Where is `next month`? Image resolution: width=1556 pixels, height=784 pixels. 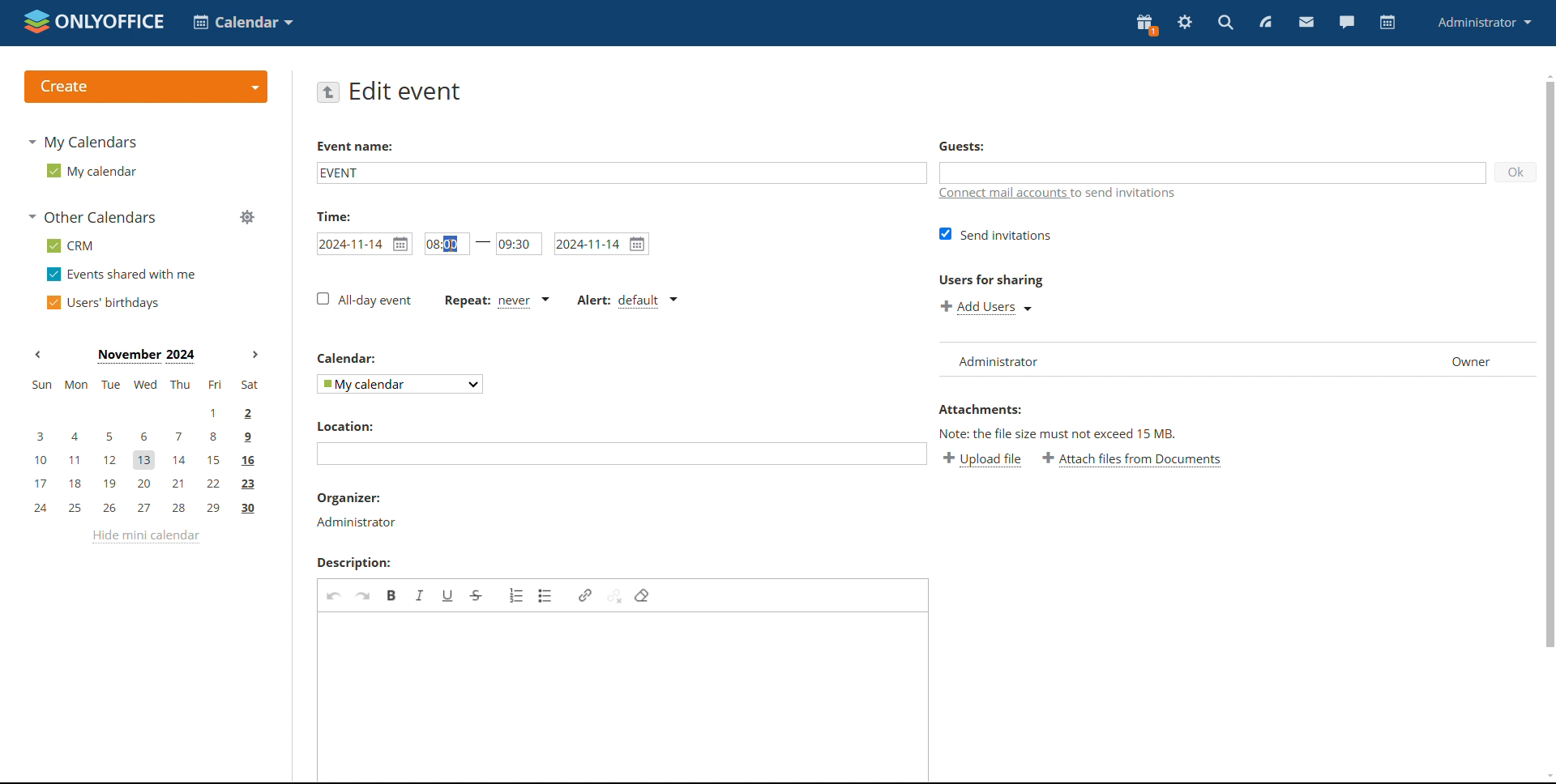 next month is located at coordinates (255, 355).